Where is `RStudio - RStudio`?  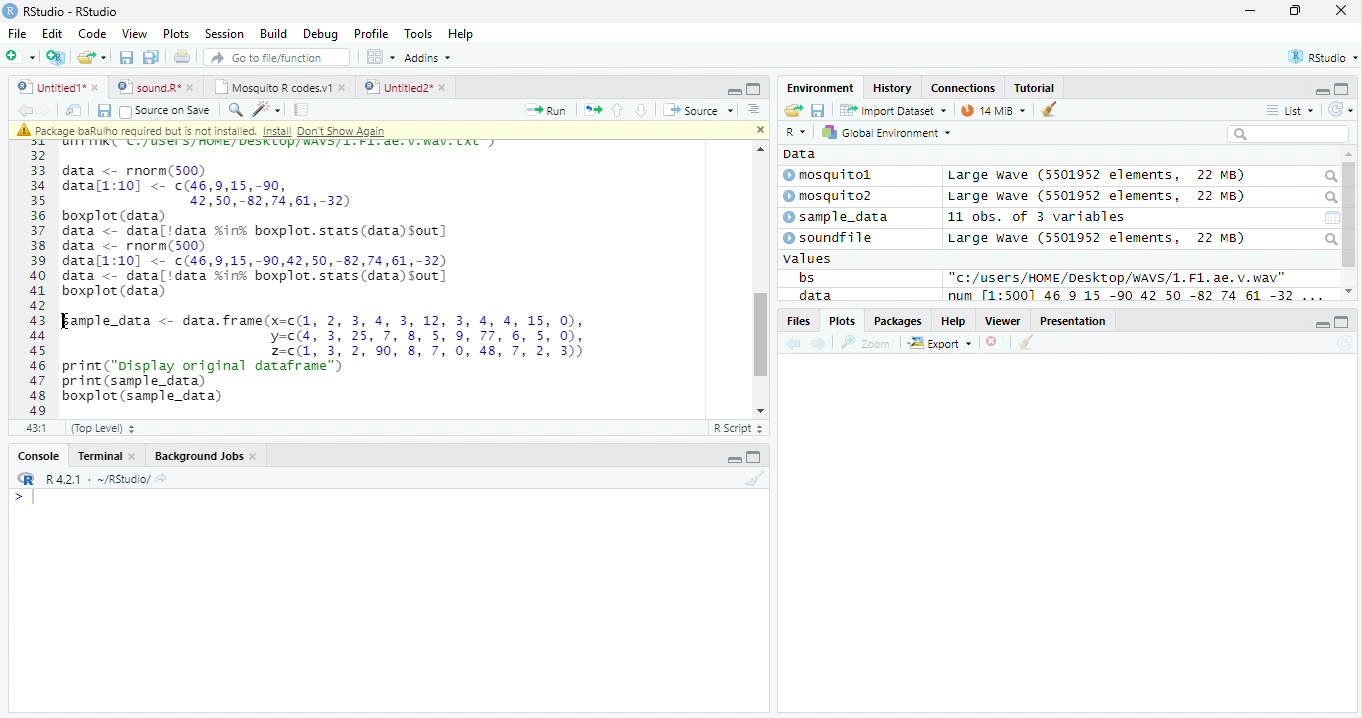
RStudio - RStudio is located at coordinates (71, 11).